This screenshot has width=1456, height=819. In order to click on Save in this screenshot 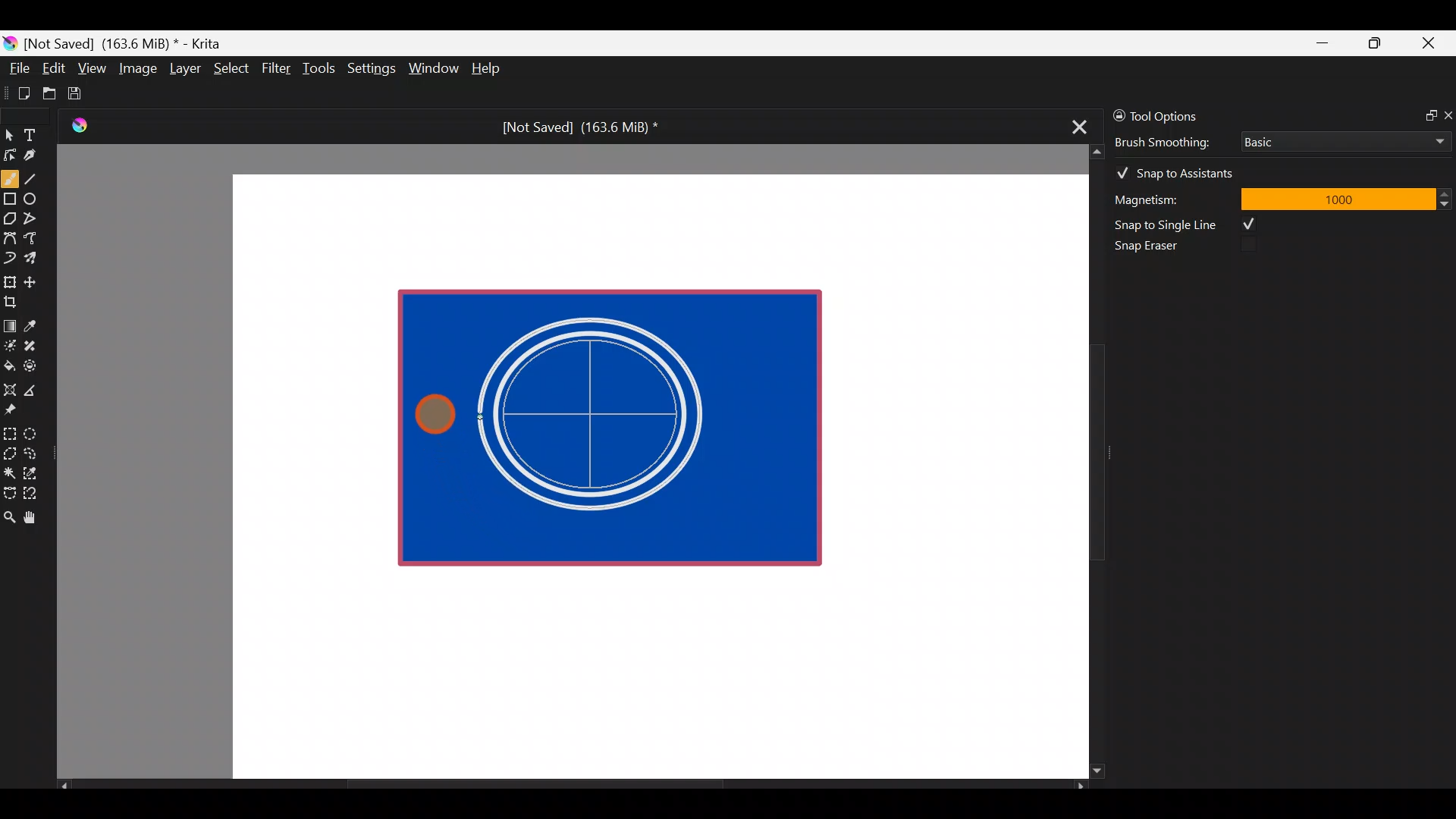, I will do `click(85, 93)`.